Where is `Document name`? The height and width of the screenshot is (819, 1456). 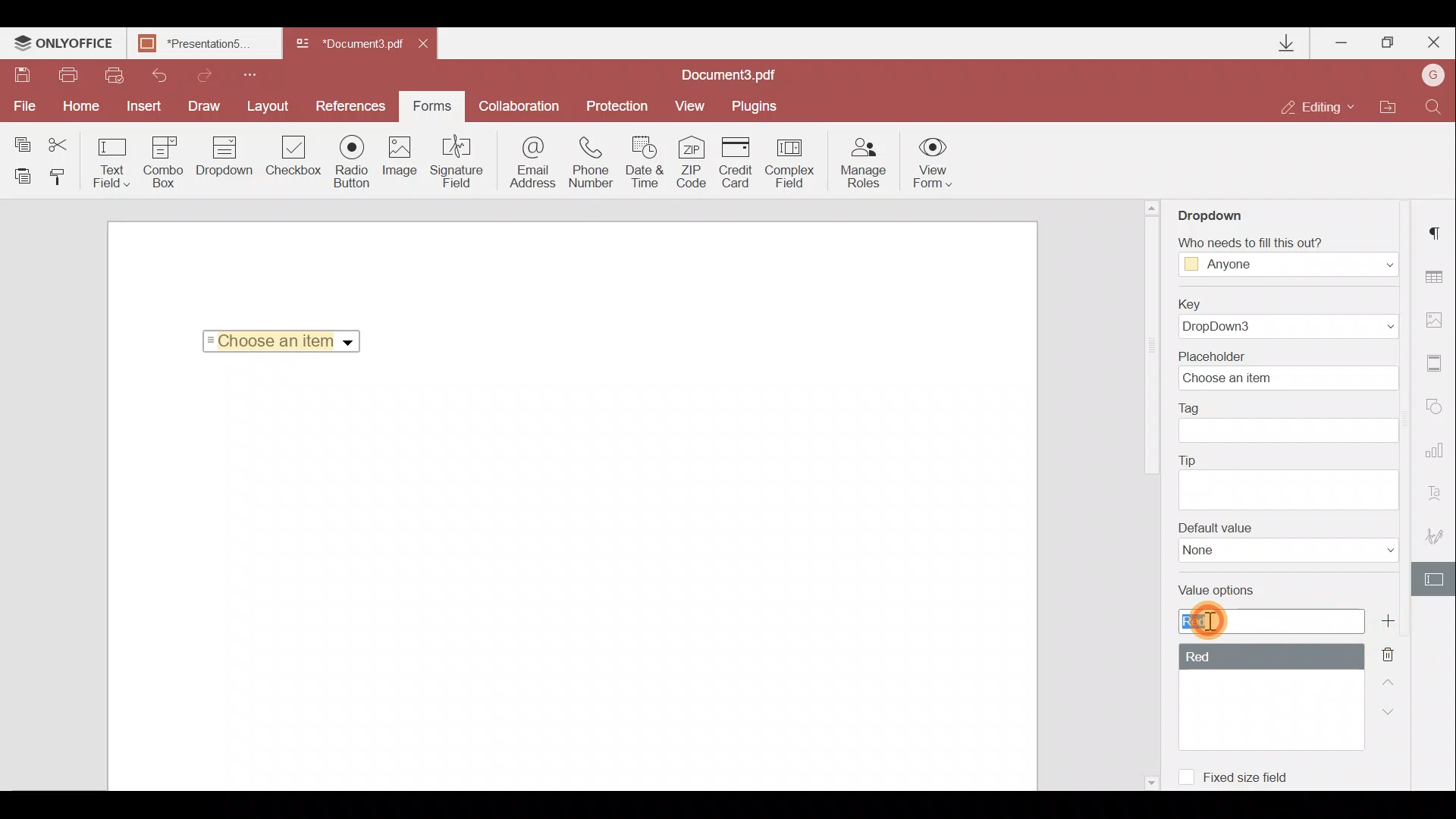 Document name is located at coordinates (347, 45).